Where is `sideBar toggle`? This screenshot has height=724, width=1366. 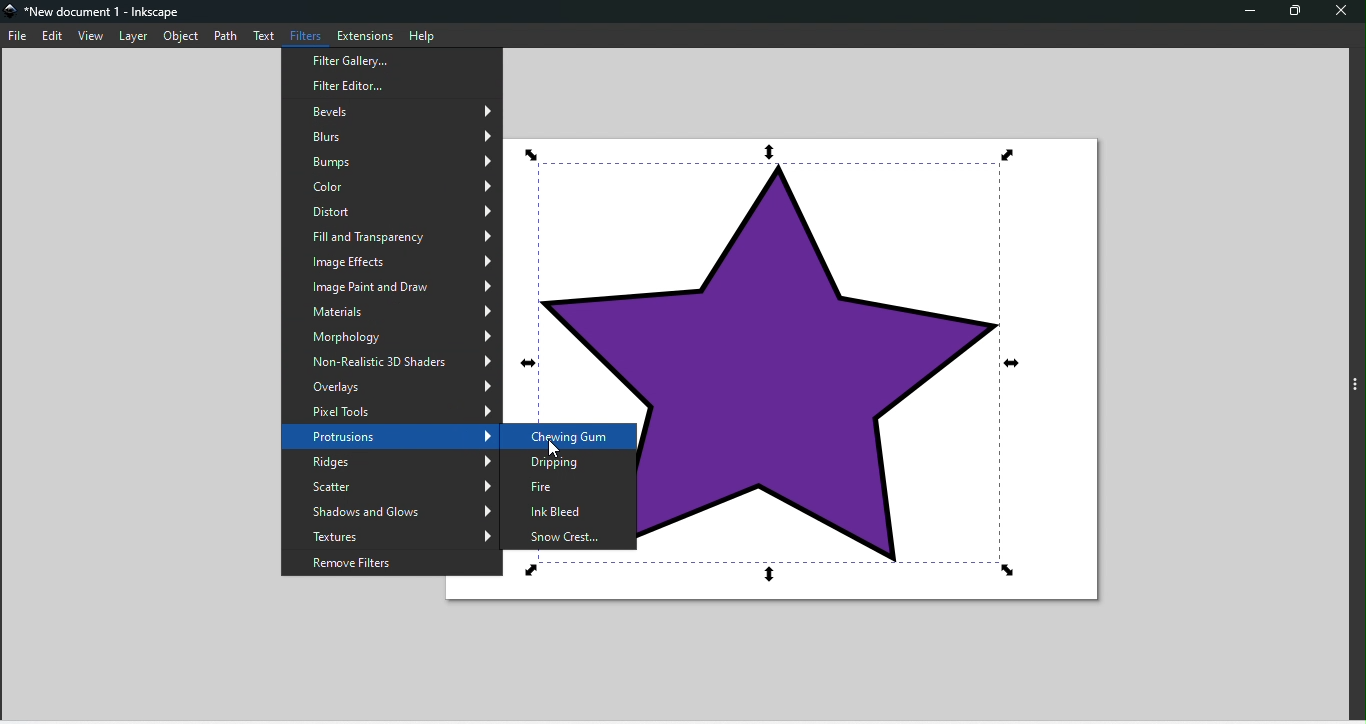
sideBar toggle is located at coordinates (1355, 386).